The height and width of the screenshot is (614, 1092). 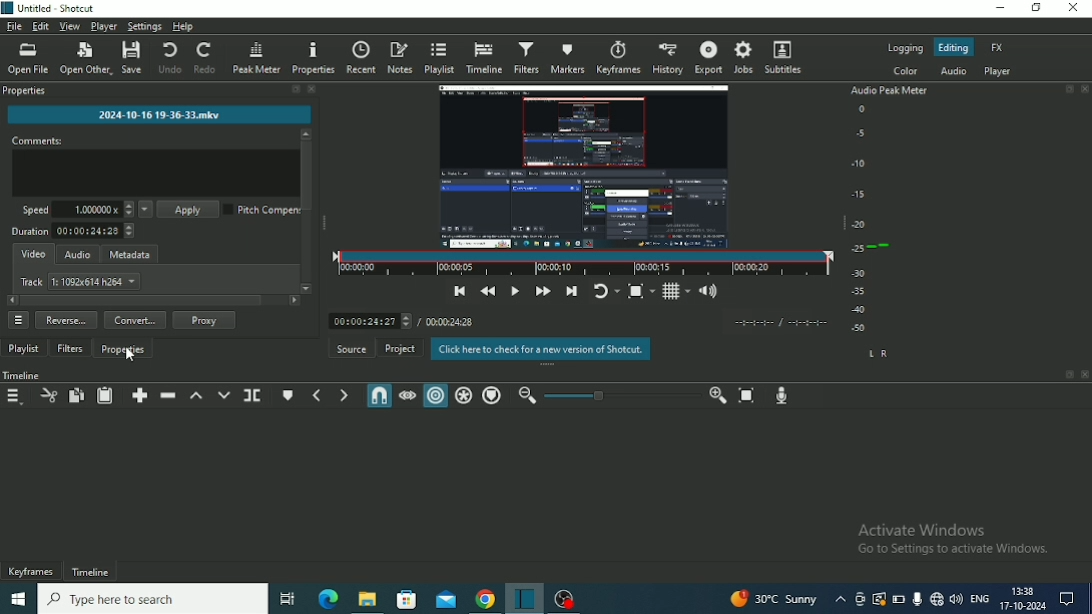 I want to click on Subtitles, so click(x=784, y=57).